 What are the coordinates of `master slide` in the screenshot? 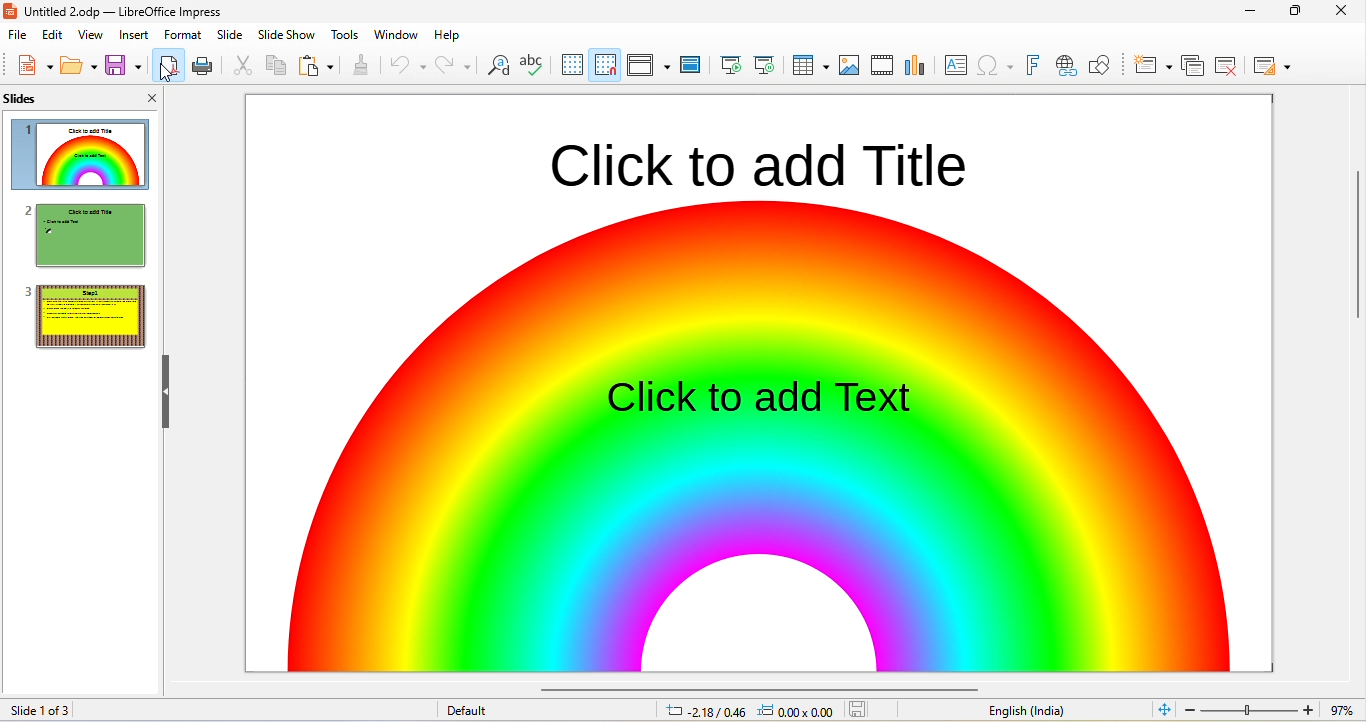 It's located at (690, 65).